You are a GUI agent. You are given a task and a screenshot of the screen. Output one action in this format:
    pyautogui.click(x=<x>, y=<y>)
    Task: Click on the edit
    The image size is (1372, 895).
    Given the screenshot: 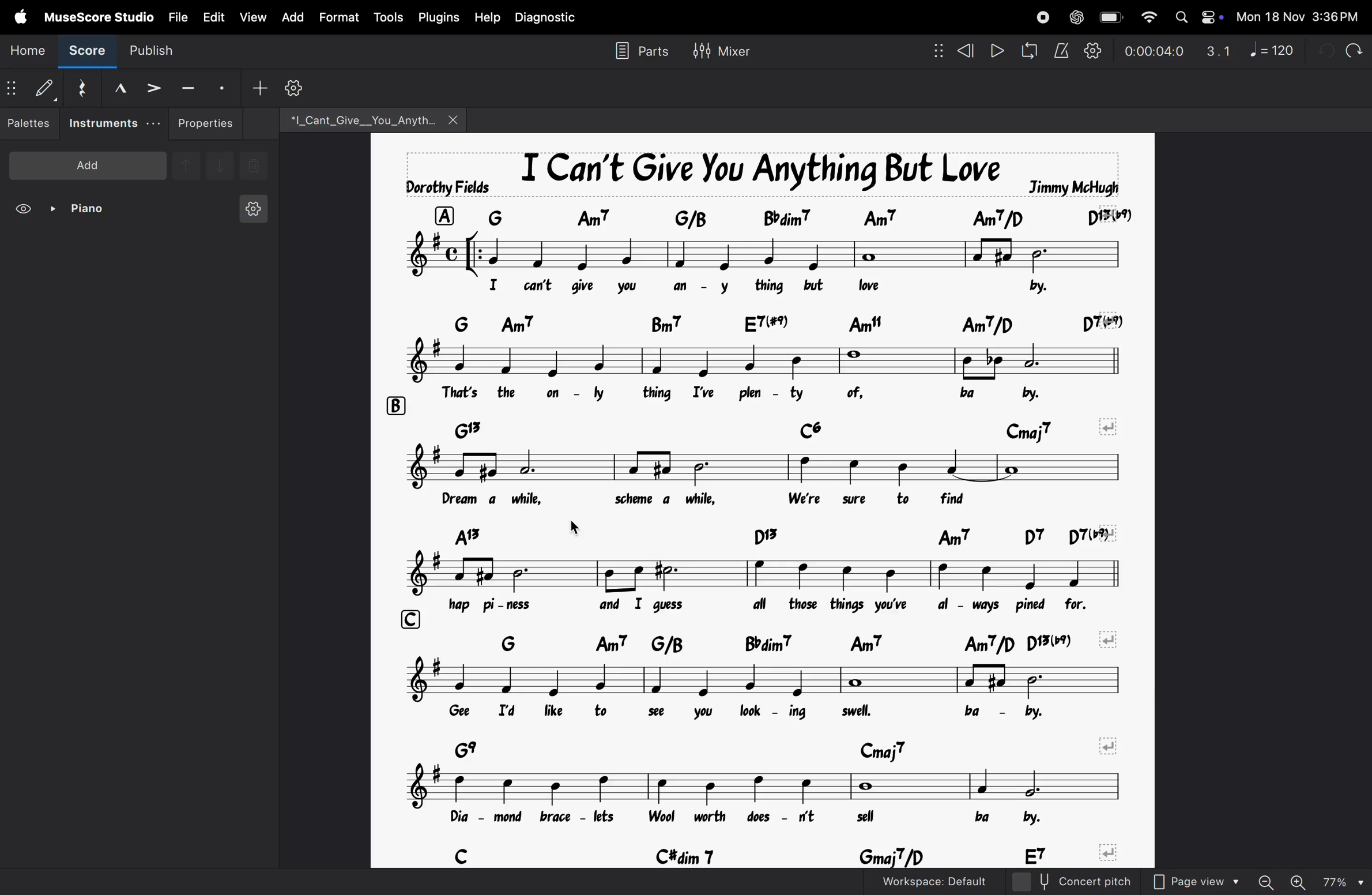 What is the action you would take?
    pyautogui.click(x=212, y=14)
    